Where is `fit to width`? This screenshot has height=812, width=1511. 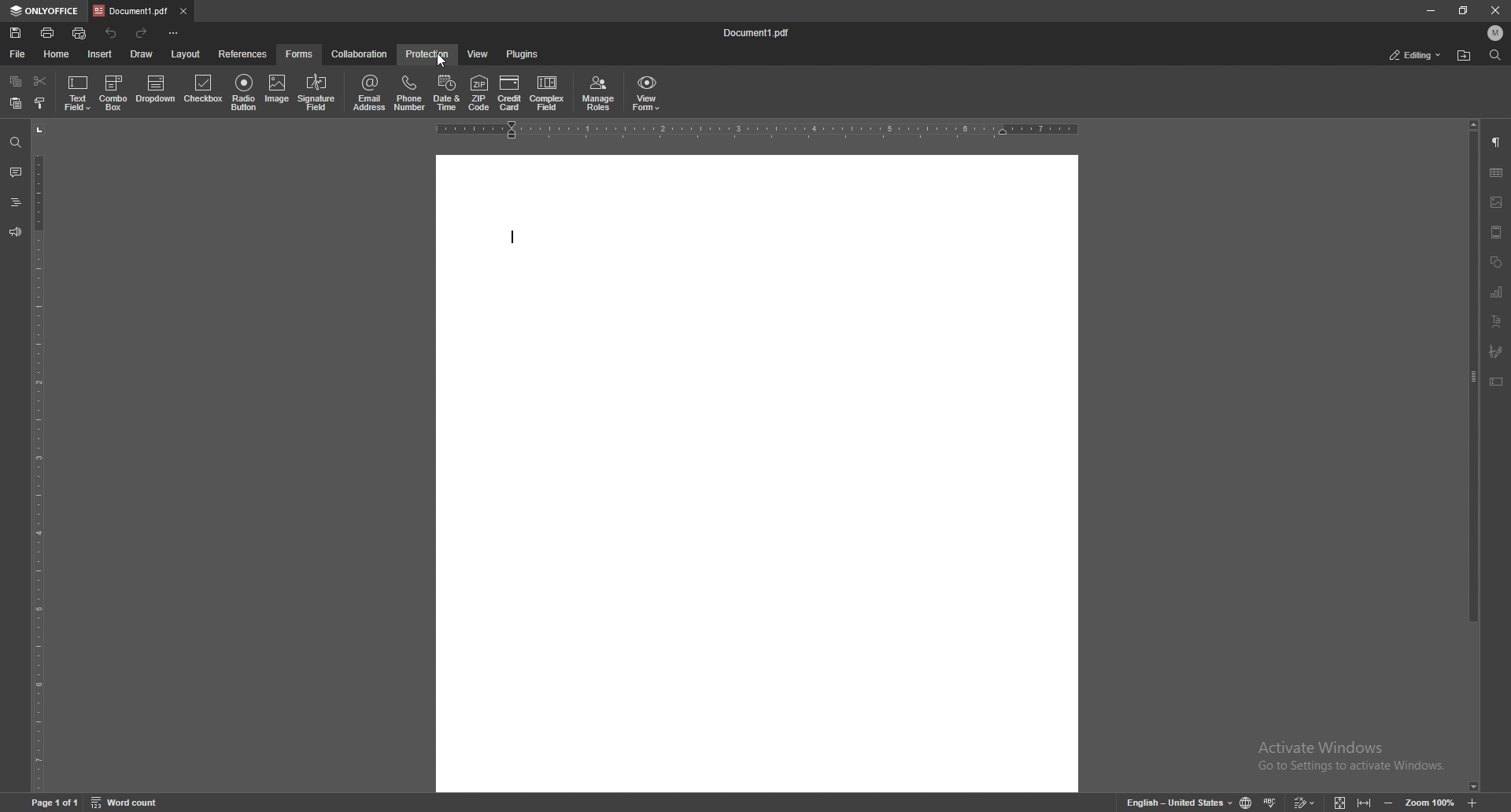 fit to width is located at coordinates (1365, 801).